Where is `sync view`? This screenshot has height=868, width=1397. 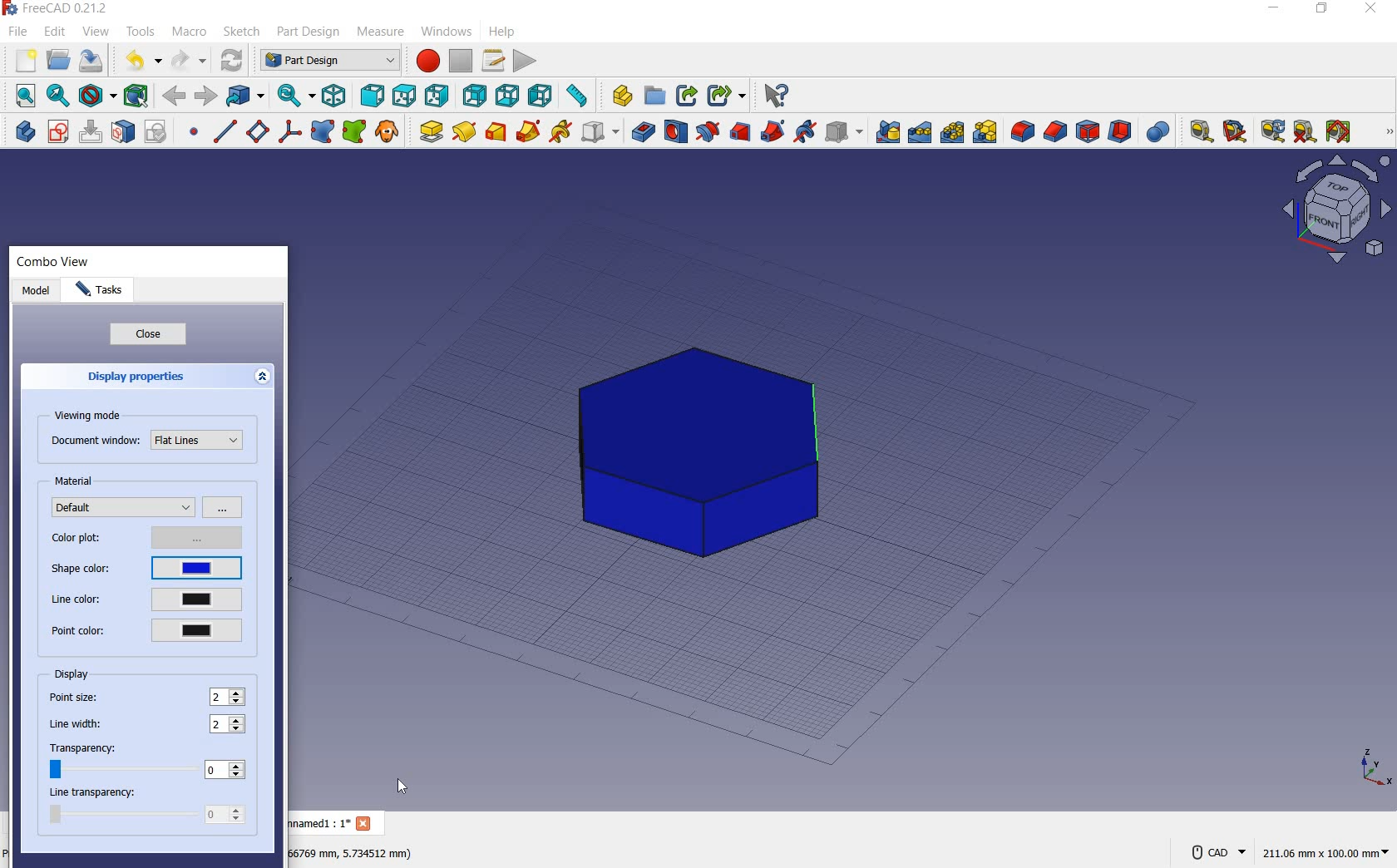 sync view is located at coordinates (294, 95).